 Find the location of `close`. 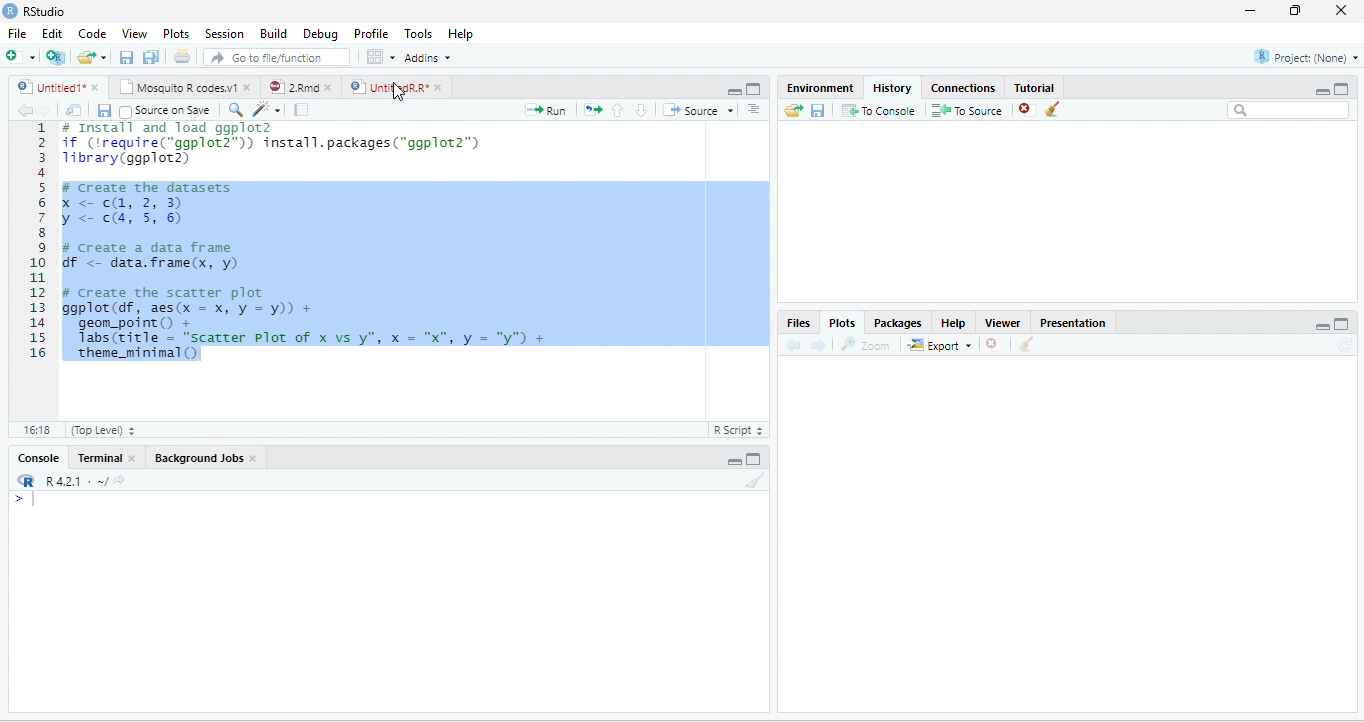

close is located at coordinates (246, 87).